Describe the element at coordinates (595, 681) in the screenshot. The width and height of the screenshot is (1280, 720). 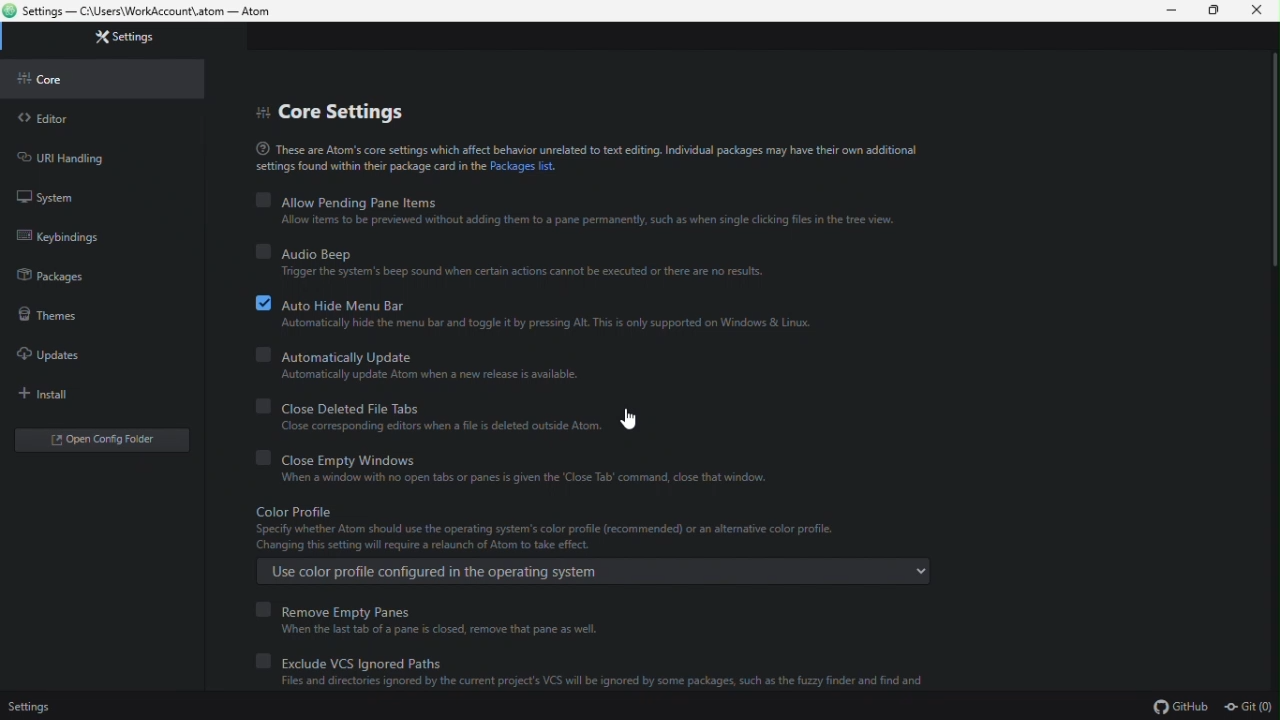
I see `Files and directories ignosad by the uvent project's VCS will be ignored by some packages, such as the fuzzy finder and find and` at that location.